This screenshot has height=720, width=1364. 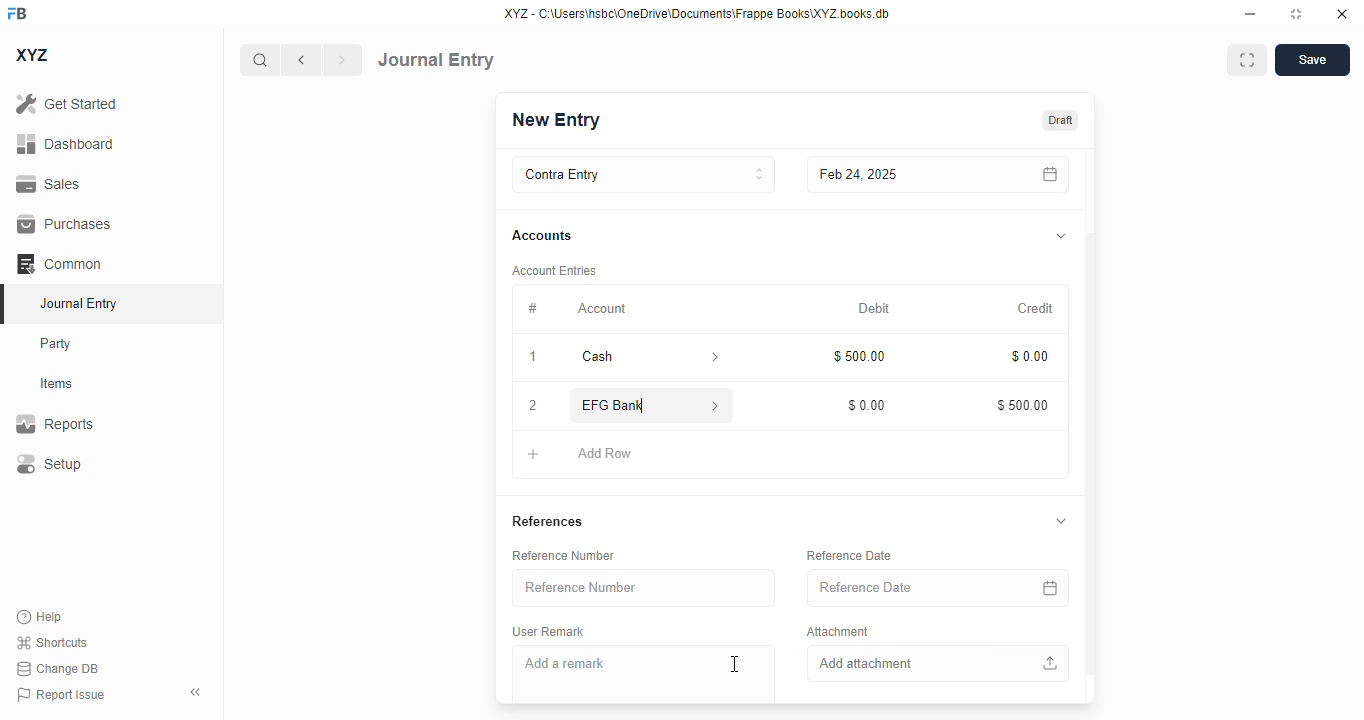 What do you see at coordinates (602, 309) in the screenshot?
I see `account` at bounding box center [602, 309].